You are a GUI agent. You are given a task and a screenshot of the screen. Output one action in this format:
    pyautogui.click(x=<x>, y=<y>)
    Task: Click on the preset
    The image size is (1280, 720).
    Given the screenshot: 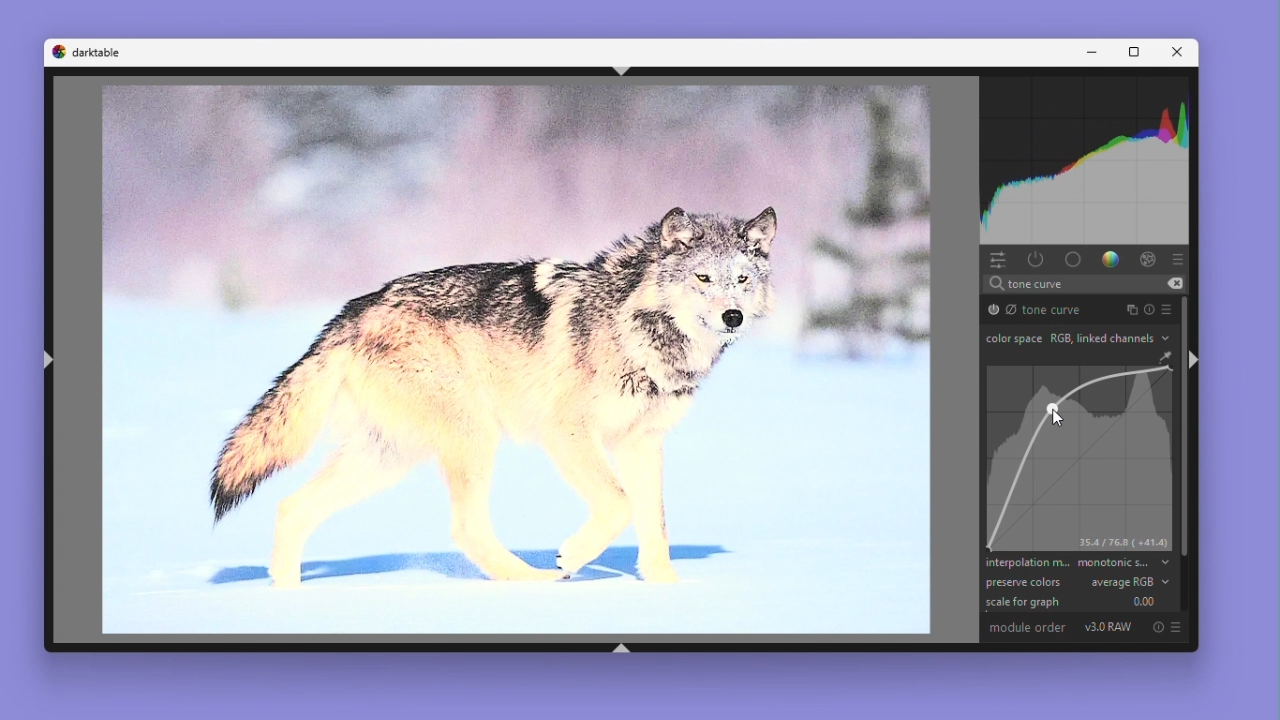 What is the action you would take?
    pyautogui.click(x=1166, y=308)
    